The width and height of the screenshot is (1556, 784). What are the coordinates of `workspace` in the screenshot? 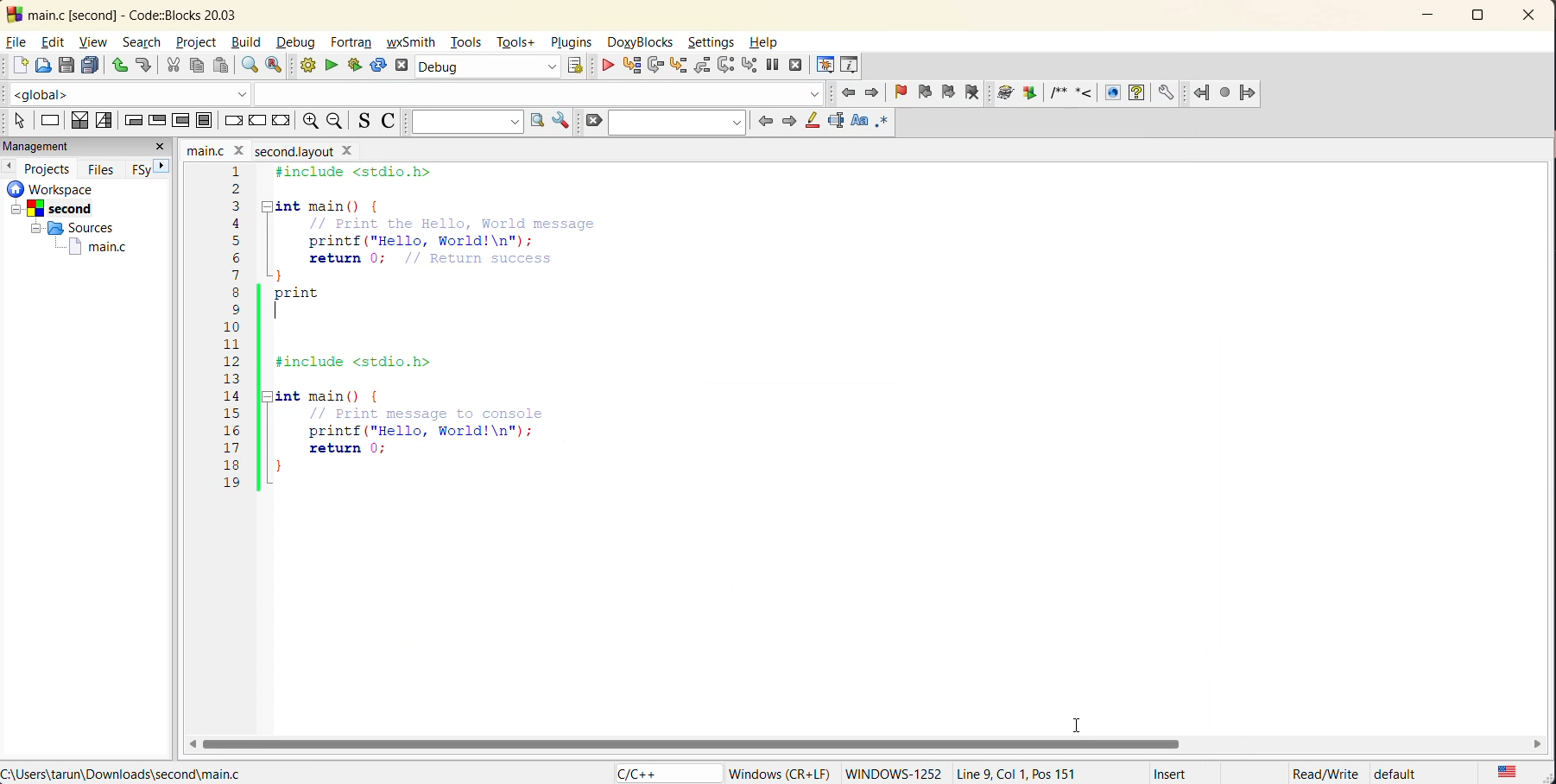 It's located at (78, 188).